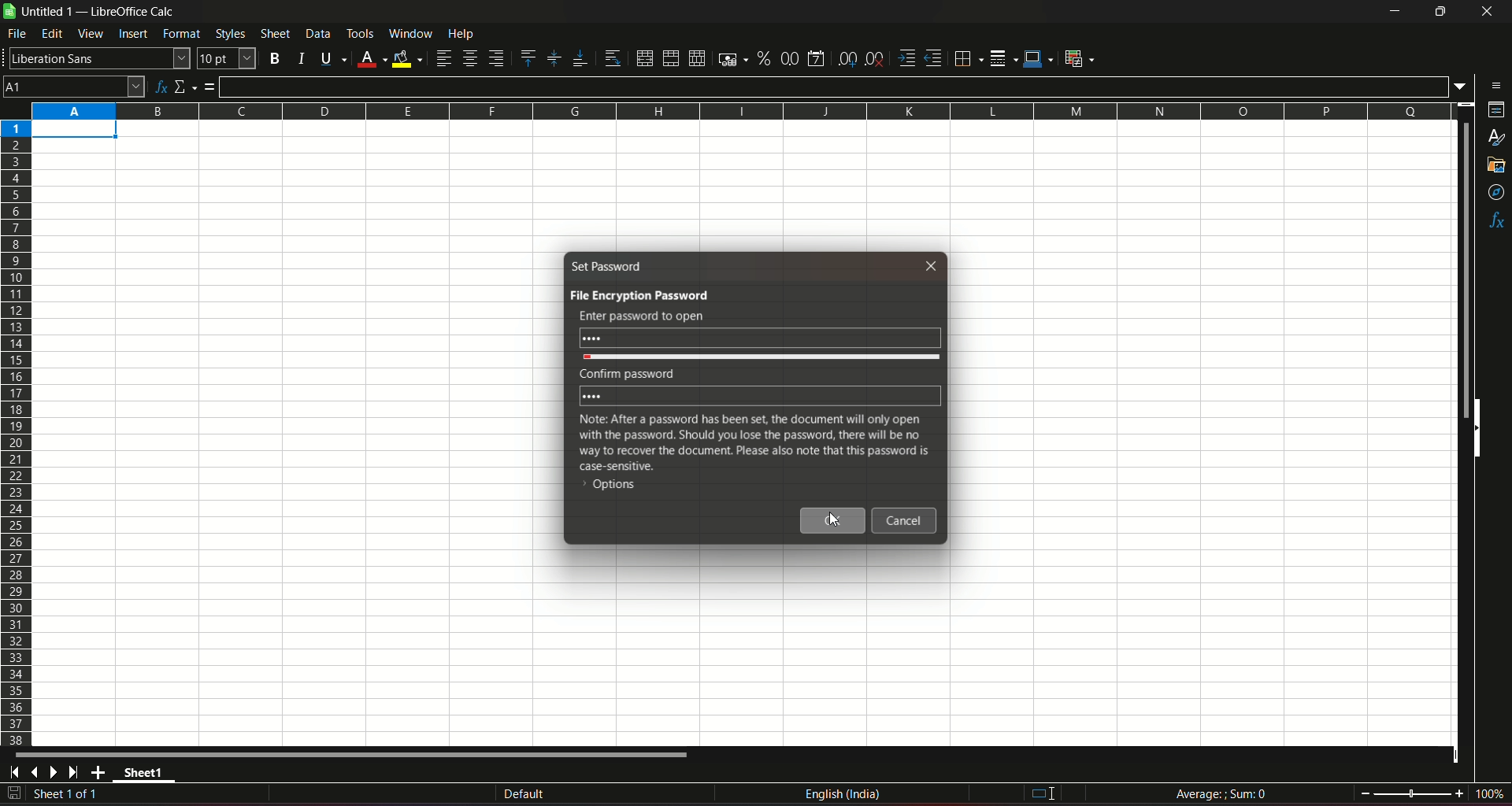 This screenshot has height=806, width=1512. Describe the element at coordinates (608, 265) in the screenshot. I see `set password` at that location.